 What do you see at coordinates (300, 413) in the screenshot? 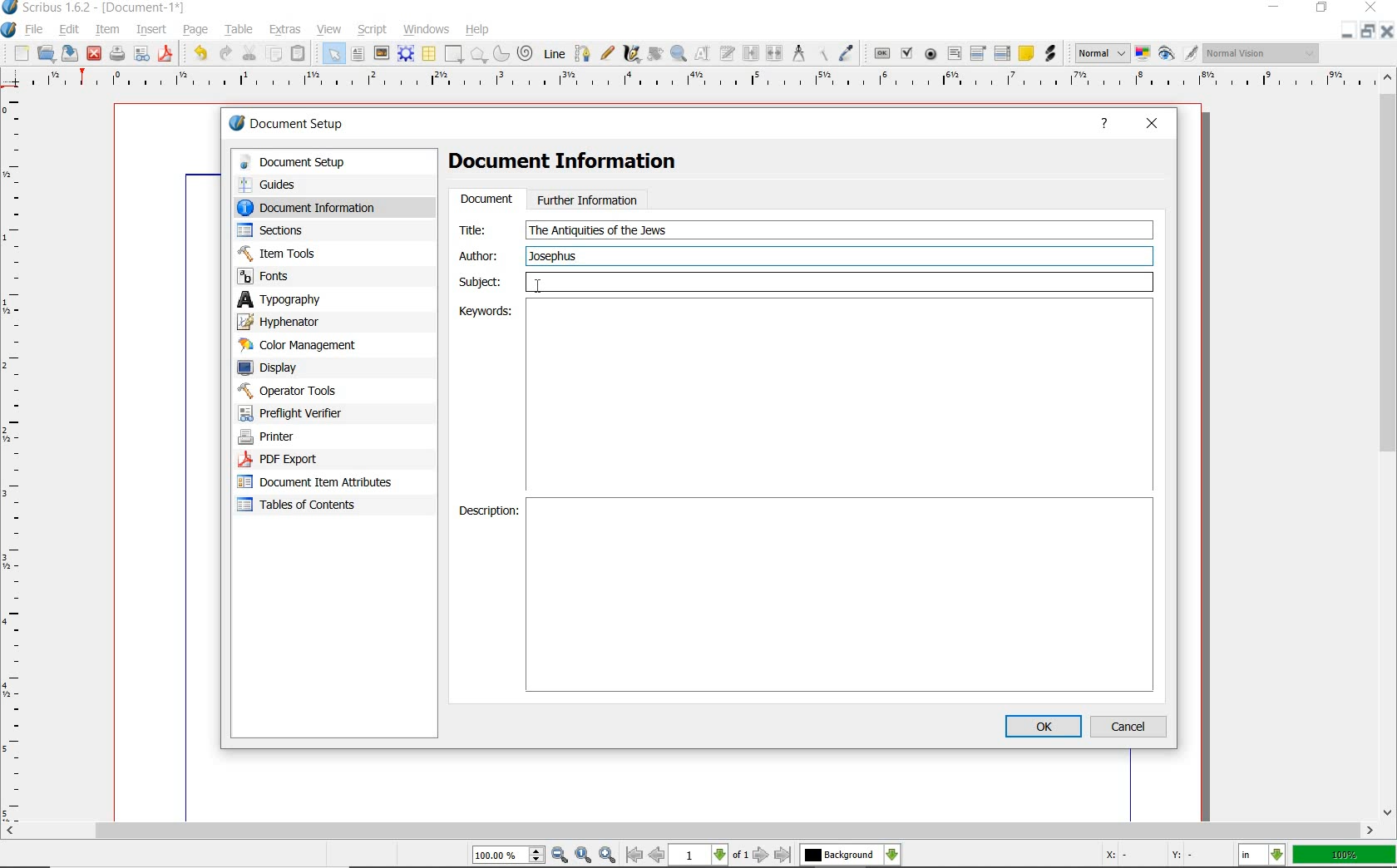
I see `preflight verifier` at bounding box center [300, 413].